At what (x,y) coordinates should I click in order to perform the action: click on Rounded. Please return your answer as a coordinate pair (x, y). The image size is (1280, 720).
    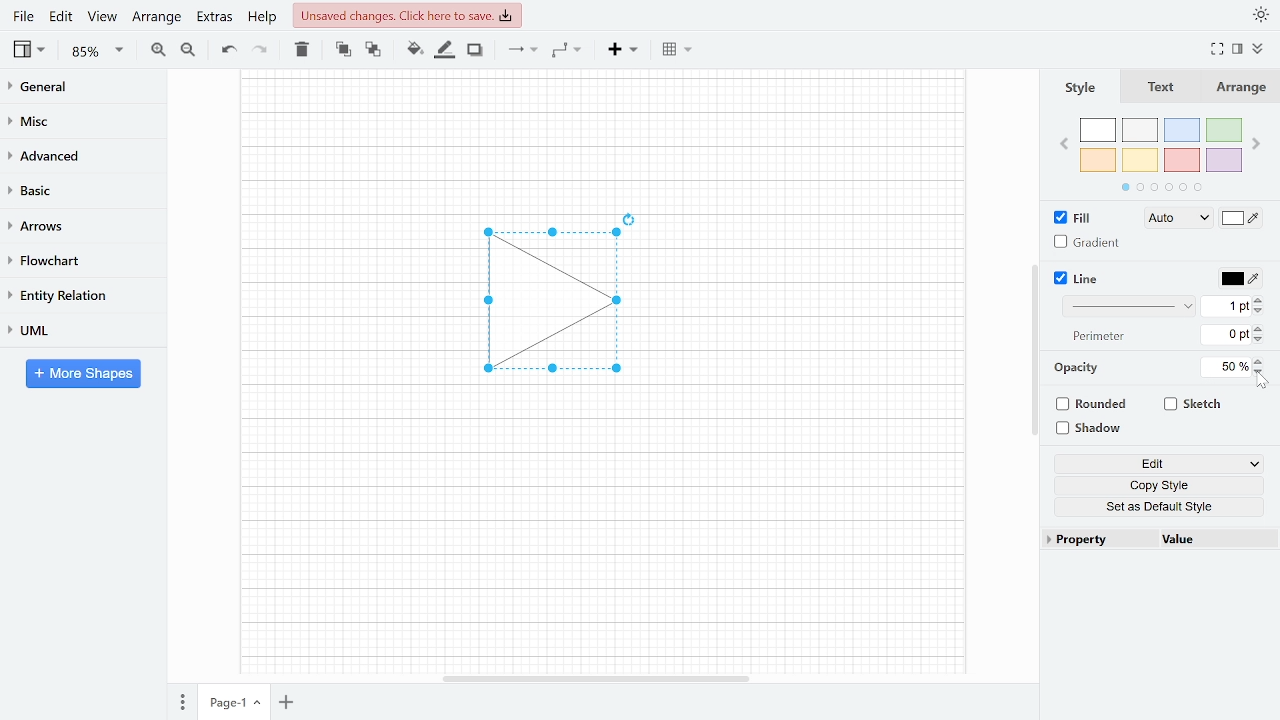
    Looking at the image, I should click on (1094, 406).